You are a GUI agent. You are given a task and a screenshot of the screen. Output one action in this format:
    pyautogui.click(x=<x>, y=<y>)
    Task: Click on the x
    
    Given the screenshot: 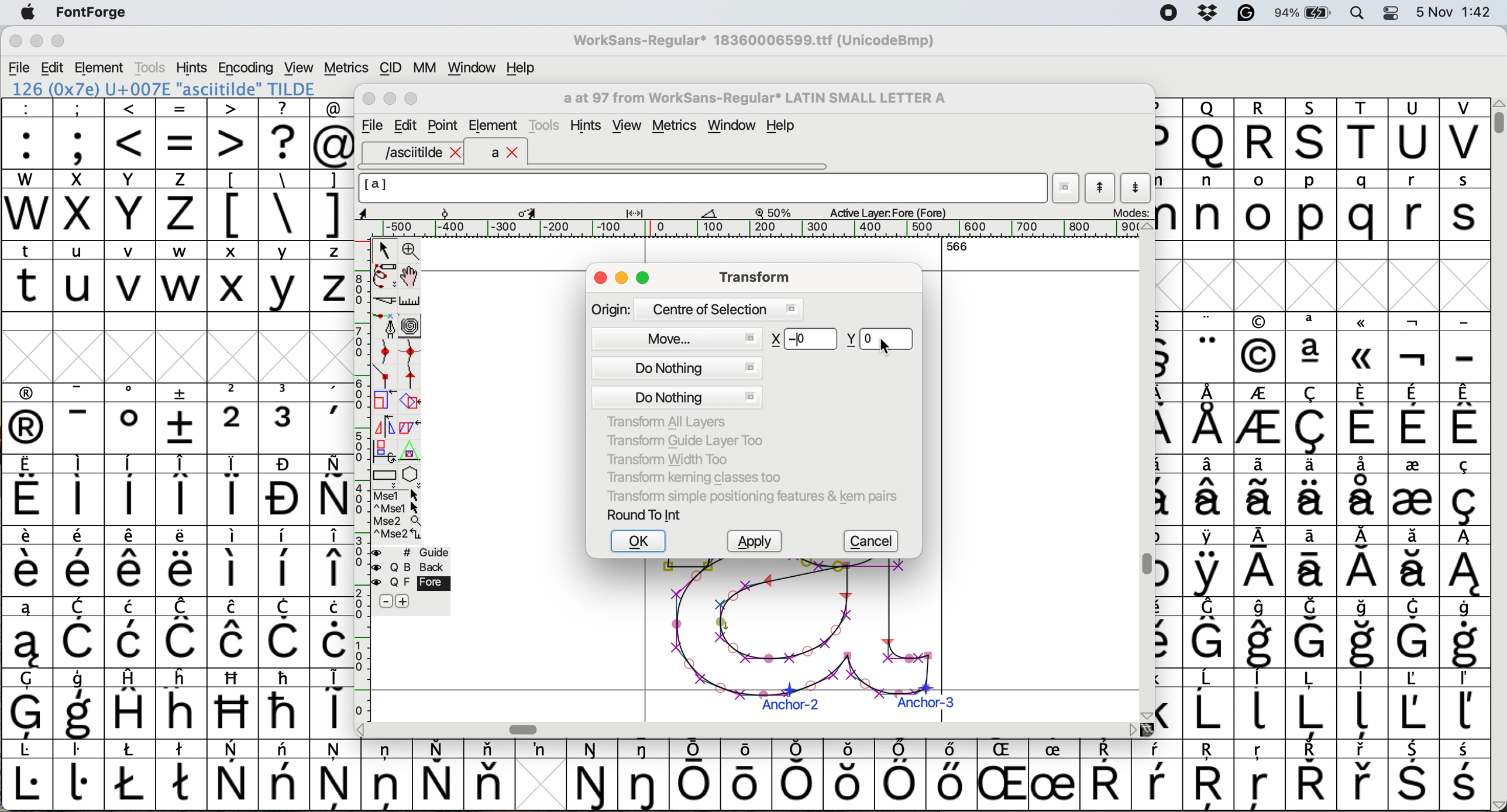 What is the action you would take?
    pyautogui.click(x=78, y=205)
    